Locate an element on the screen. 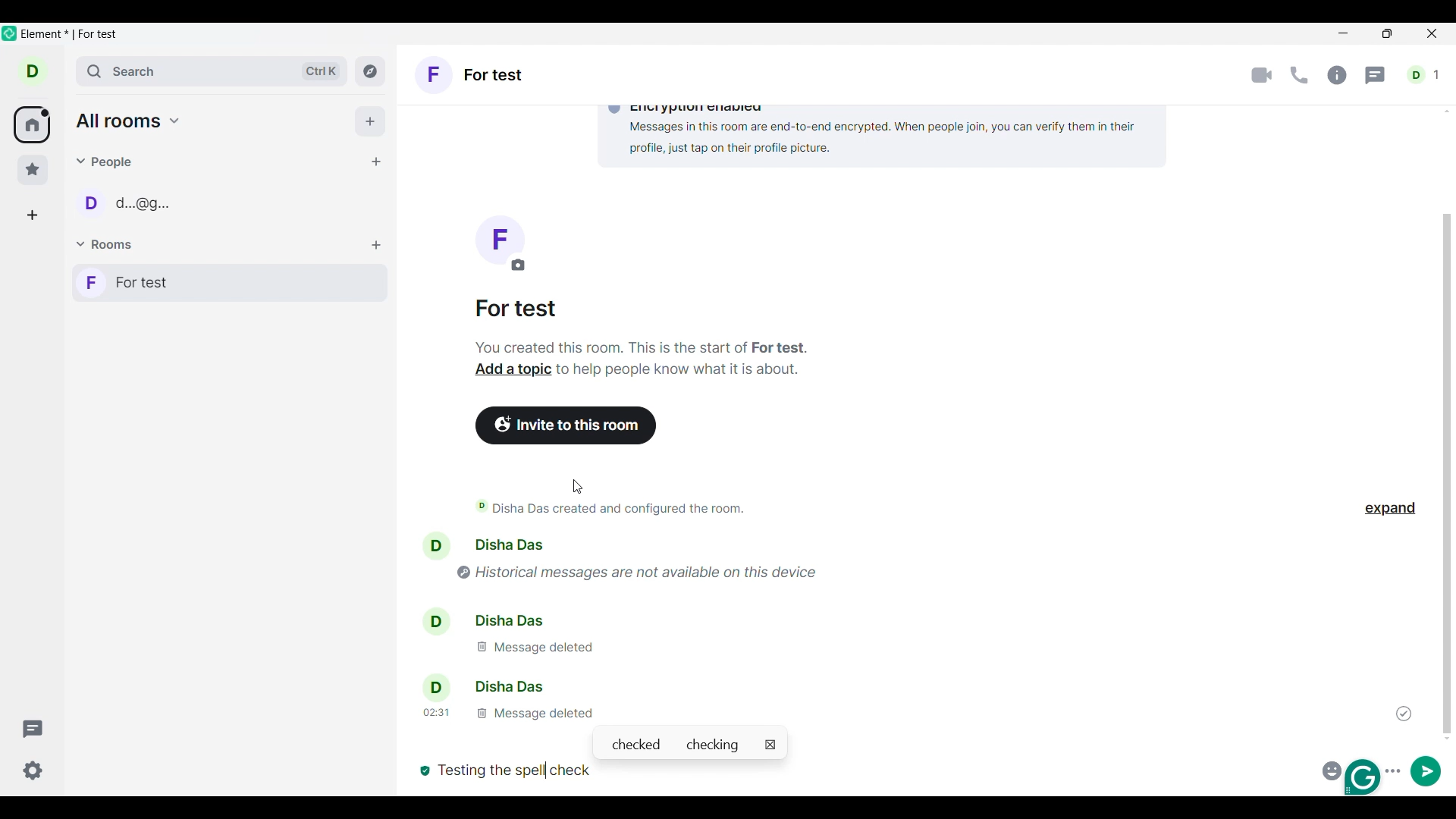 Image resolution: width=1456 pixels, height=819 pixels. Software logo is located at coordinates (10, 33).